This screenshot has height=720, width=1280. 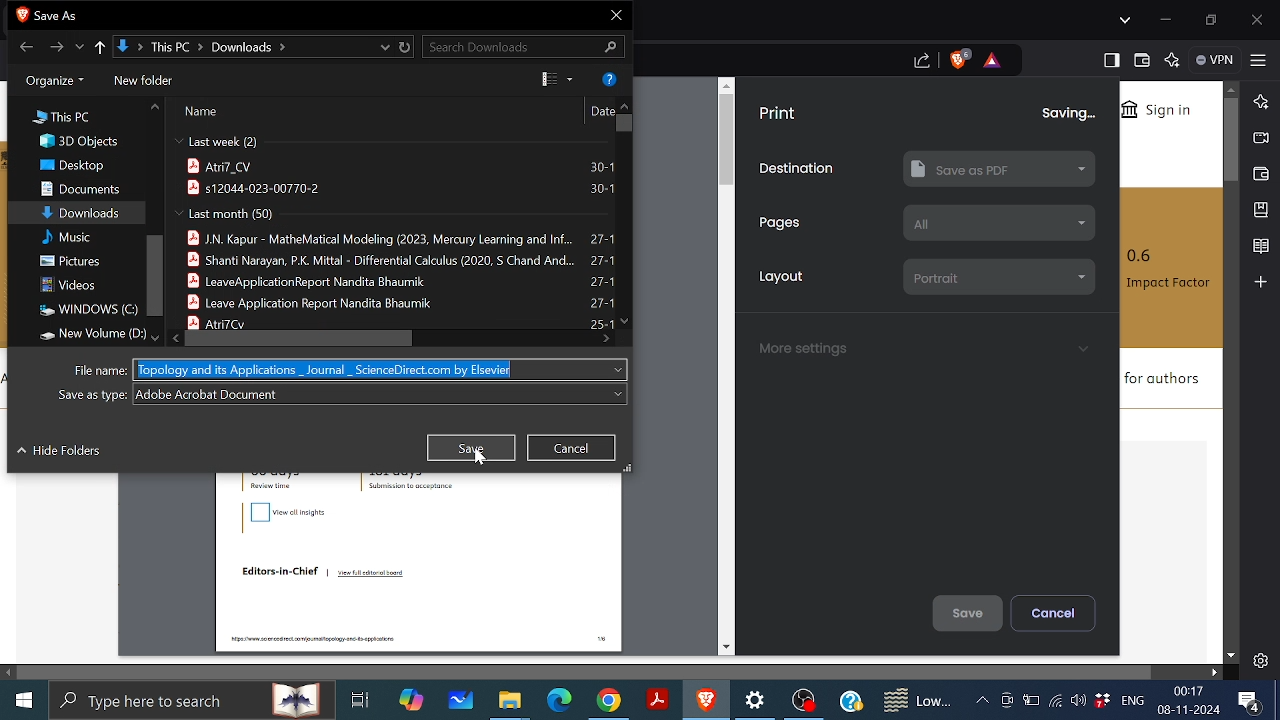 What do you see at coordinates (387, 48) in the screenshot?
I see `Previous location` at bounding box center [387, 48].